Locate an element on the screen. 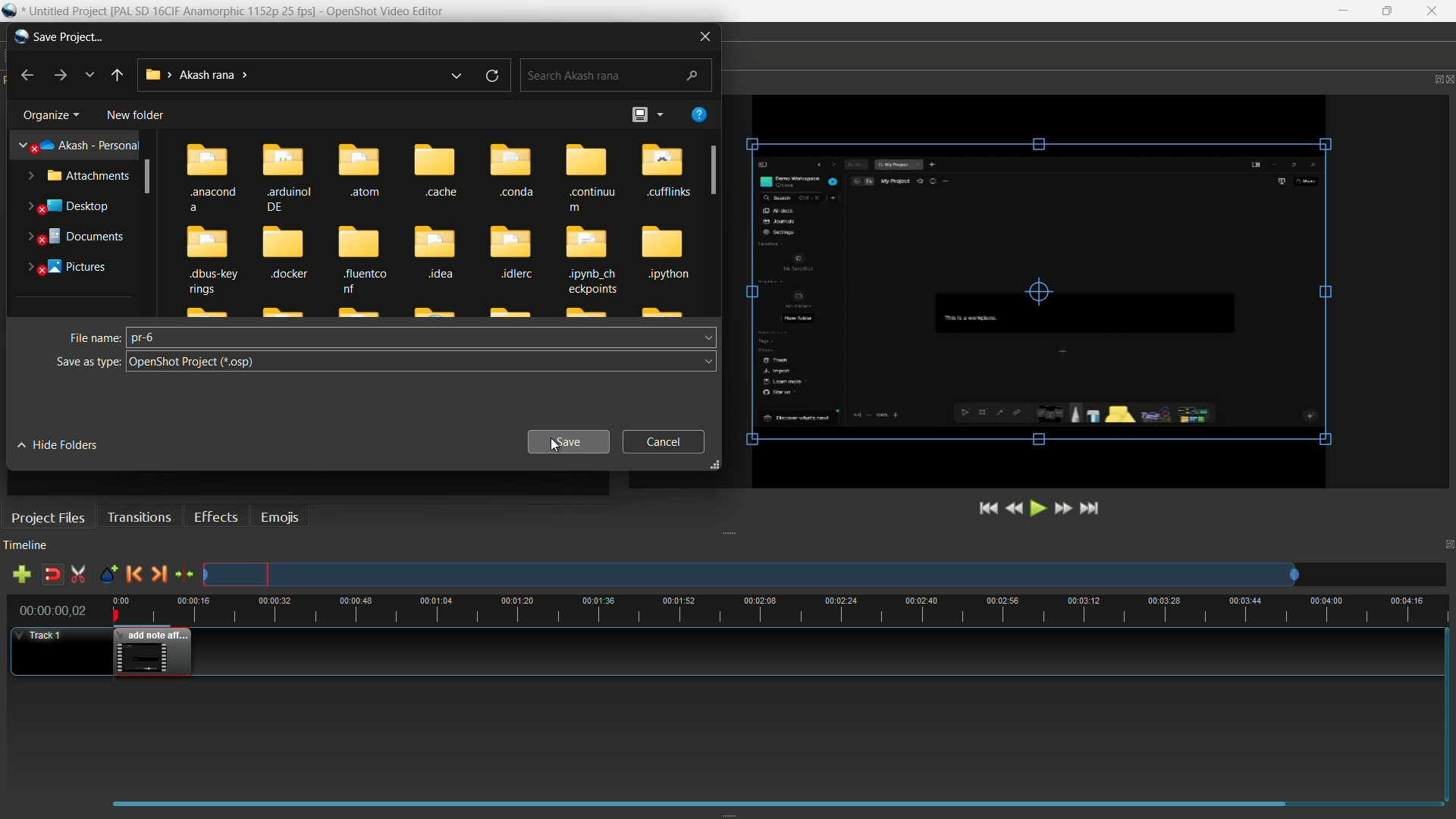 This screenshot has height=819, width=1456. file name is located at coordinates (93, 338).